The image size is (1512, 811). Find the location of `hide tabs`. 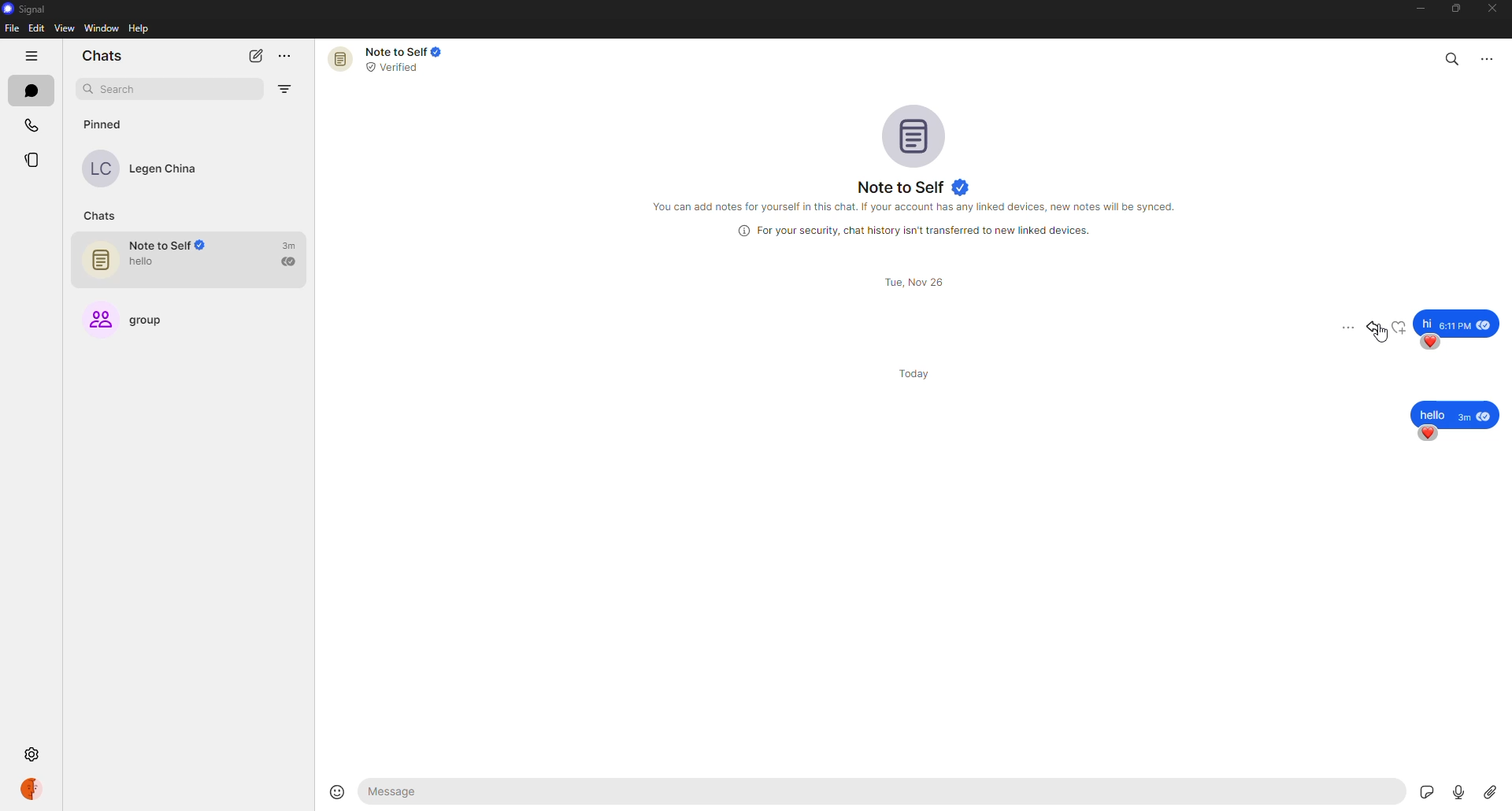

hide tabs is located at coordinates (33, 56).